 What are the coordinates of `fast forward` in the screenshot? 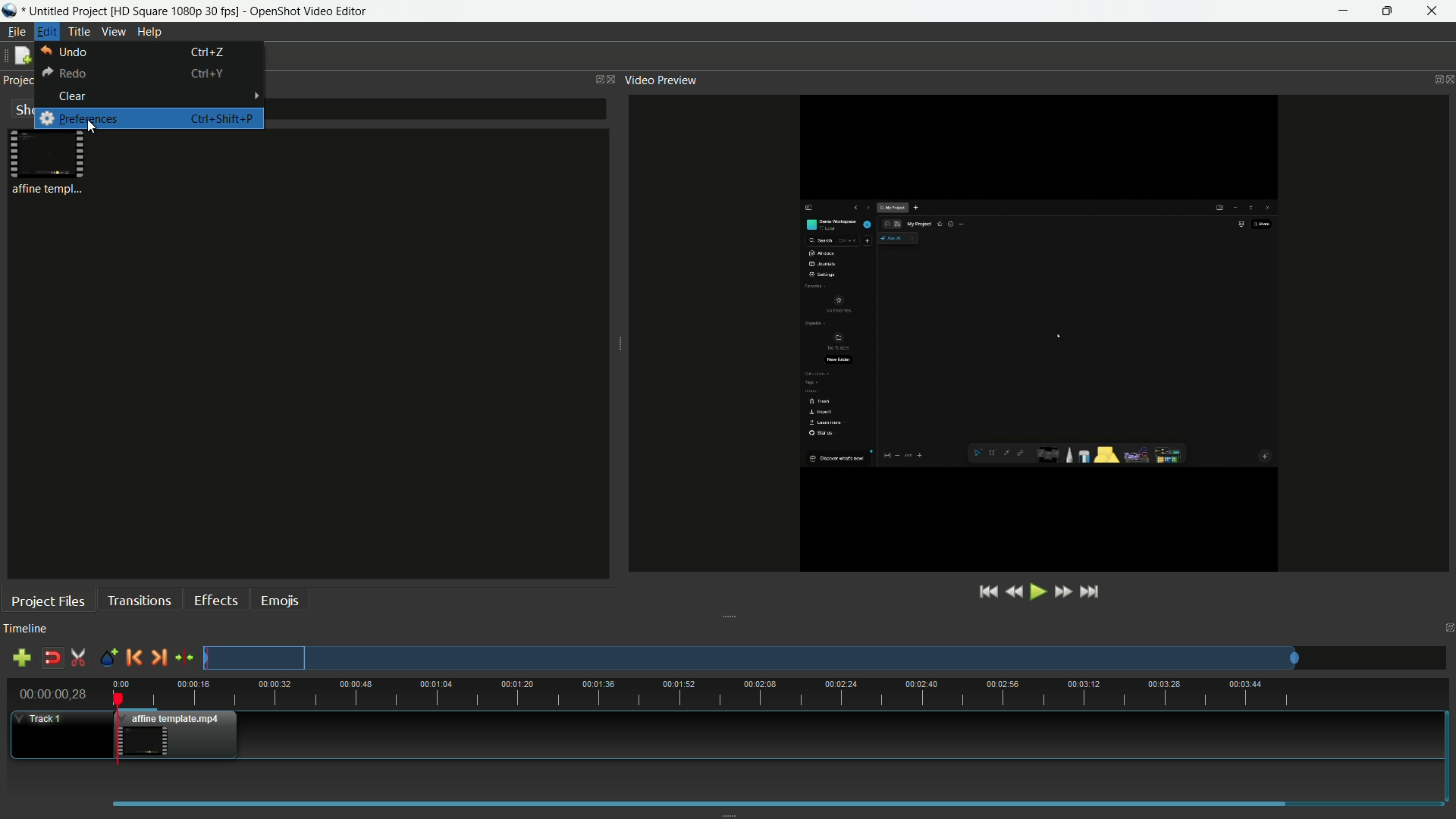 It's located at (1065, 592).